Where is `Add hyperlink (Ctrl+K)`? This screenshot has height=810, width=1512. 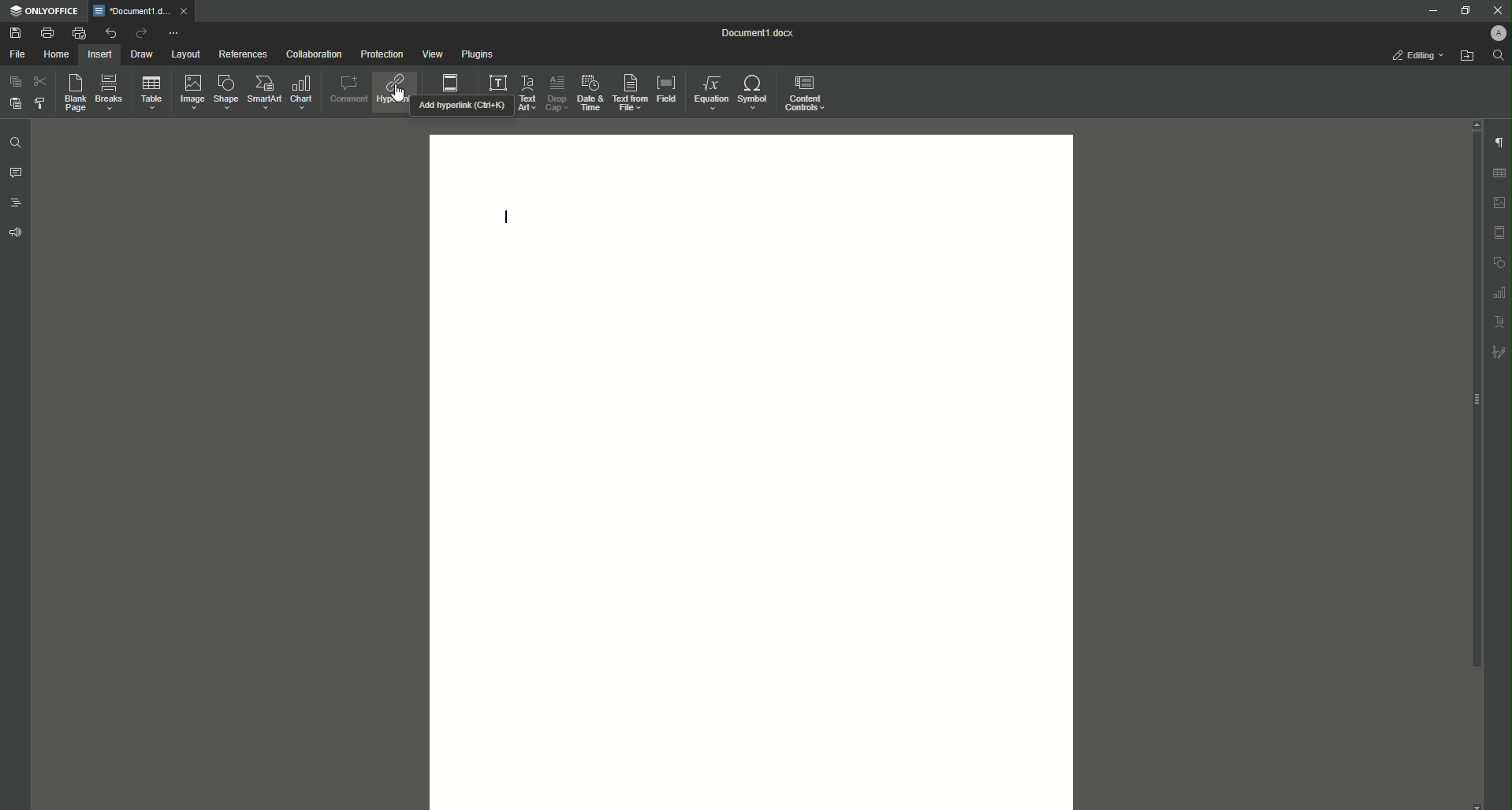
Add hyperlink (Ctrl+K) is located at coordinates (463, 107).